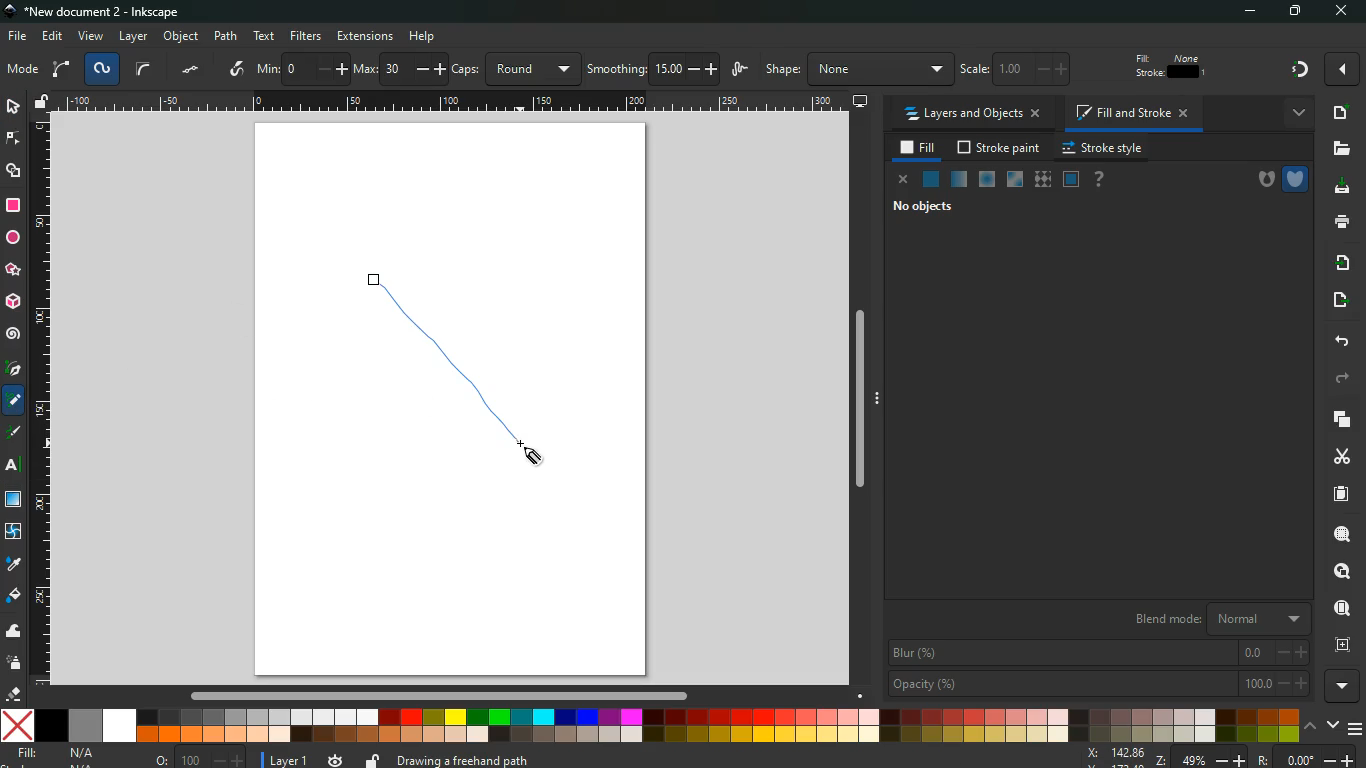  Describe the element at coordinates (1001, 147) in the screenshot. I see `stroke paint` at that location.